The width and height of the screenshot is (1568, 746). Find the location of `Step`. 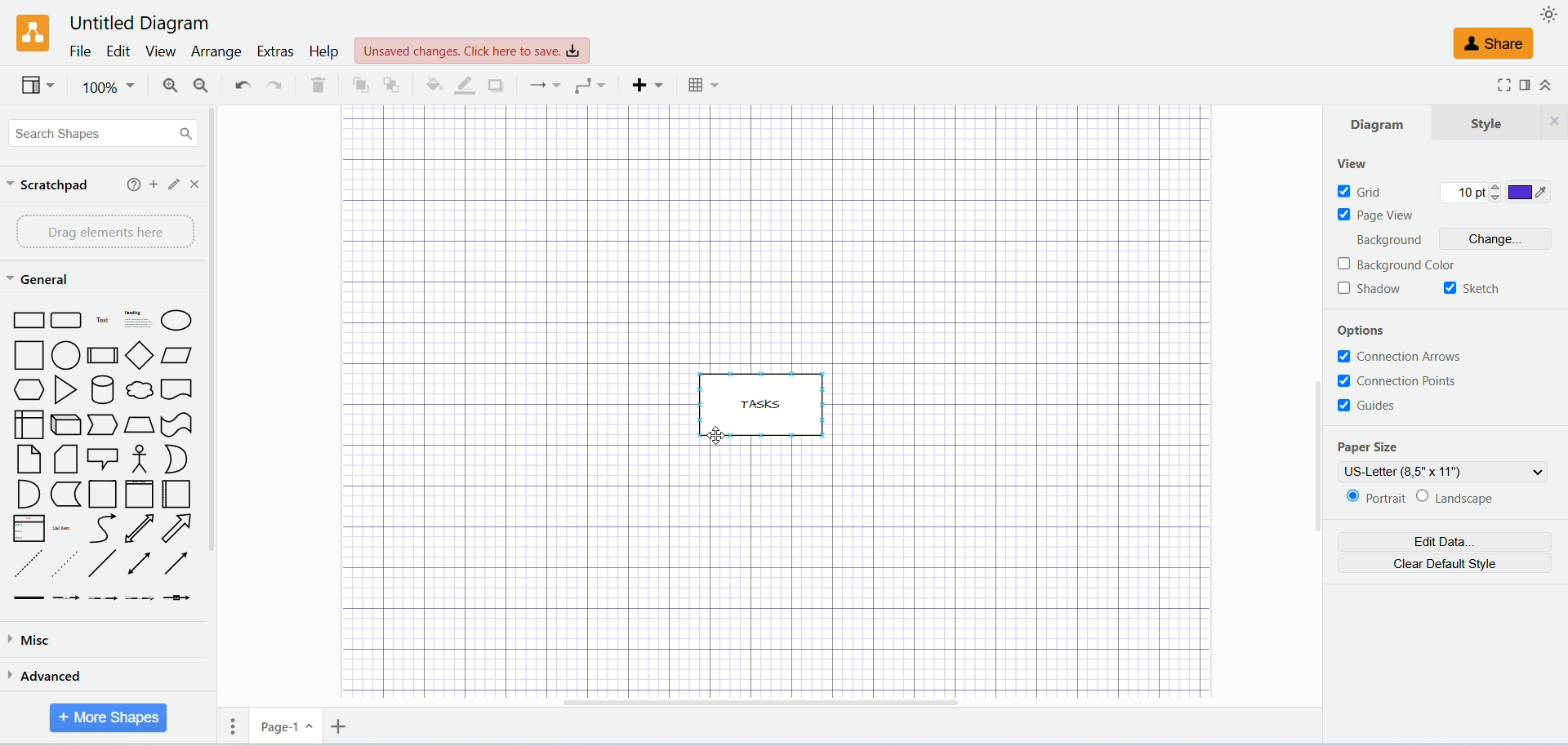

Step is located at coordinates (102, 425).